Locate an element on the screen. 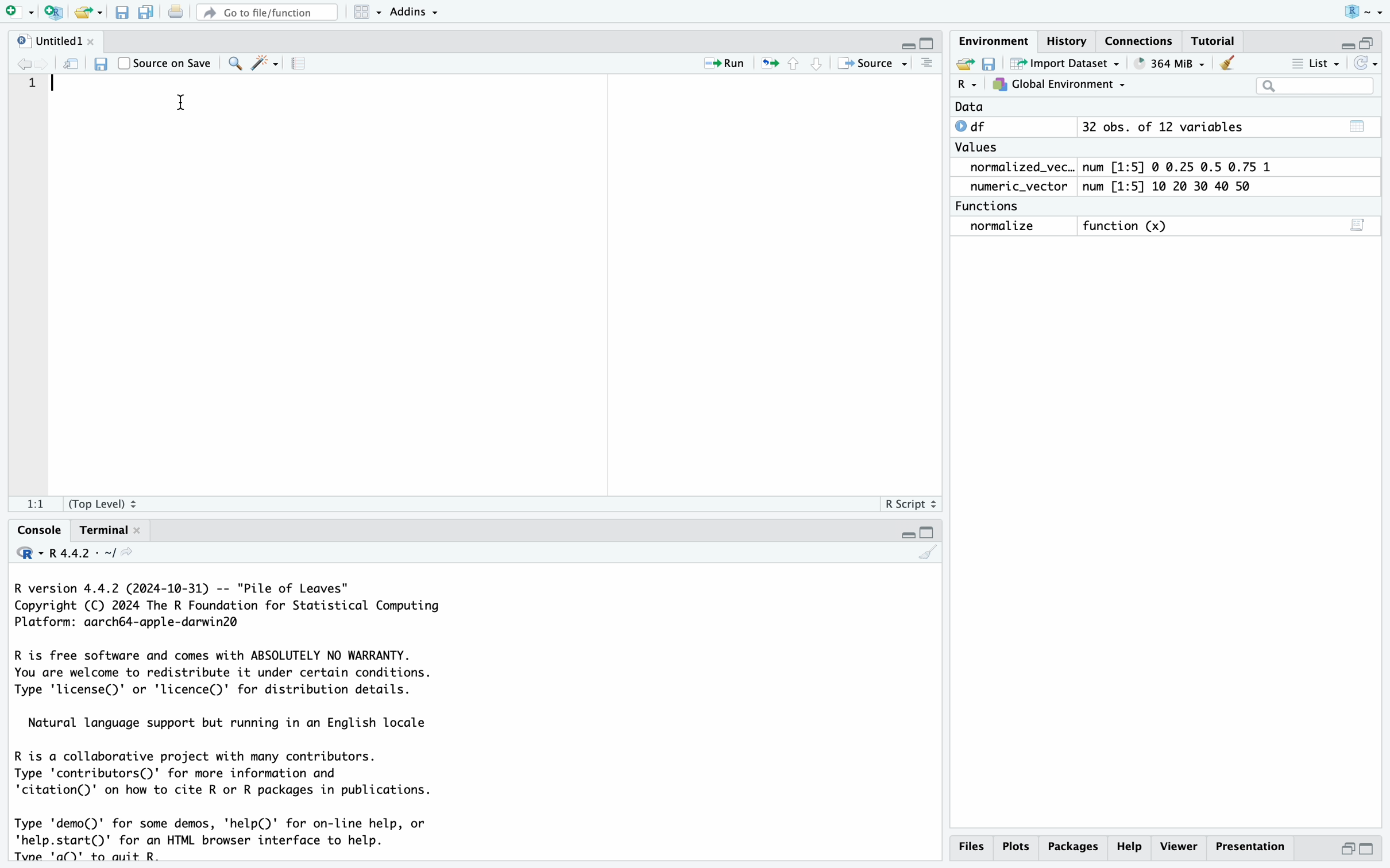  num [1:5] 10 20 30 40 50  is located at coordinates (1172, 187).